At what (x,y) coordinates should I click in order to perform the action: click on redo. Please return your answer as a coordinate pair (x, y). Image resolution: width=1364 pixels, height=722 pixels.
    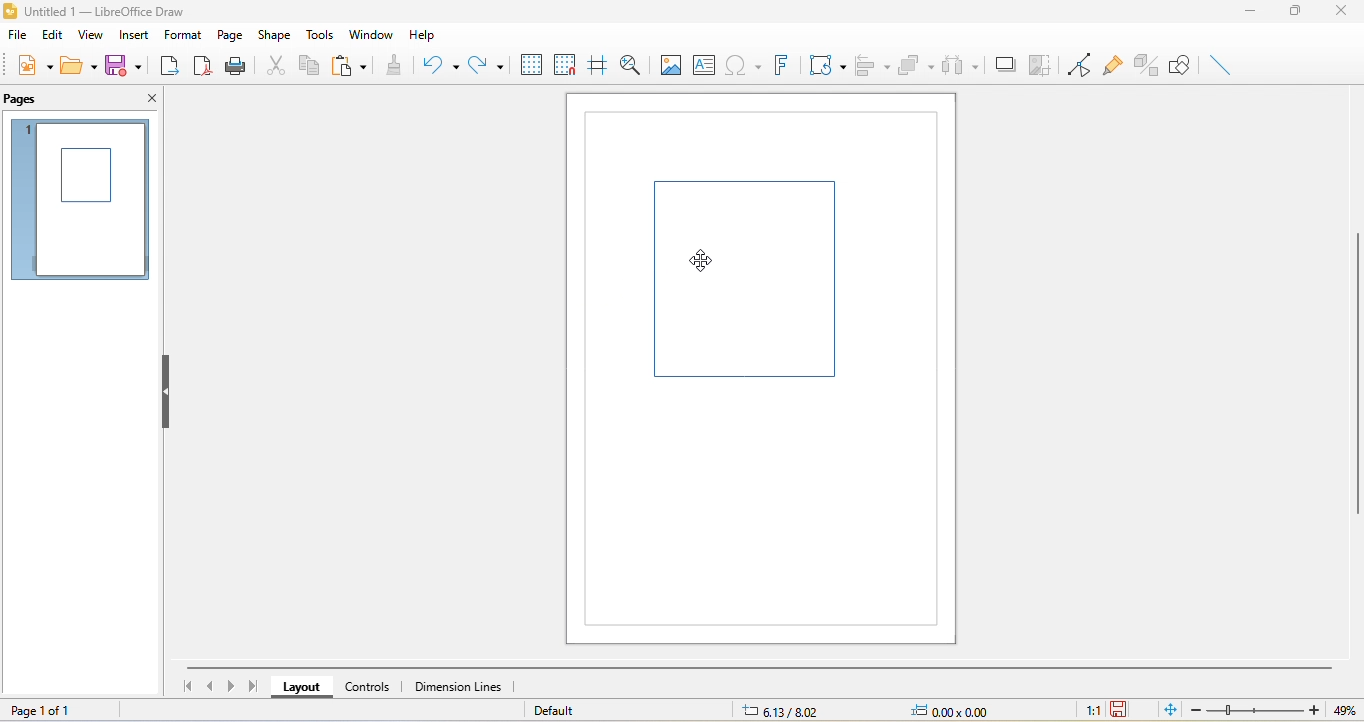
    Looking at the image, I should click on (487, 65).